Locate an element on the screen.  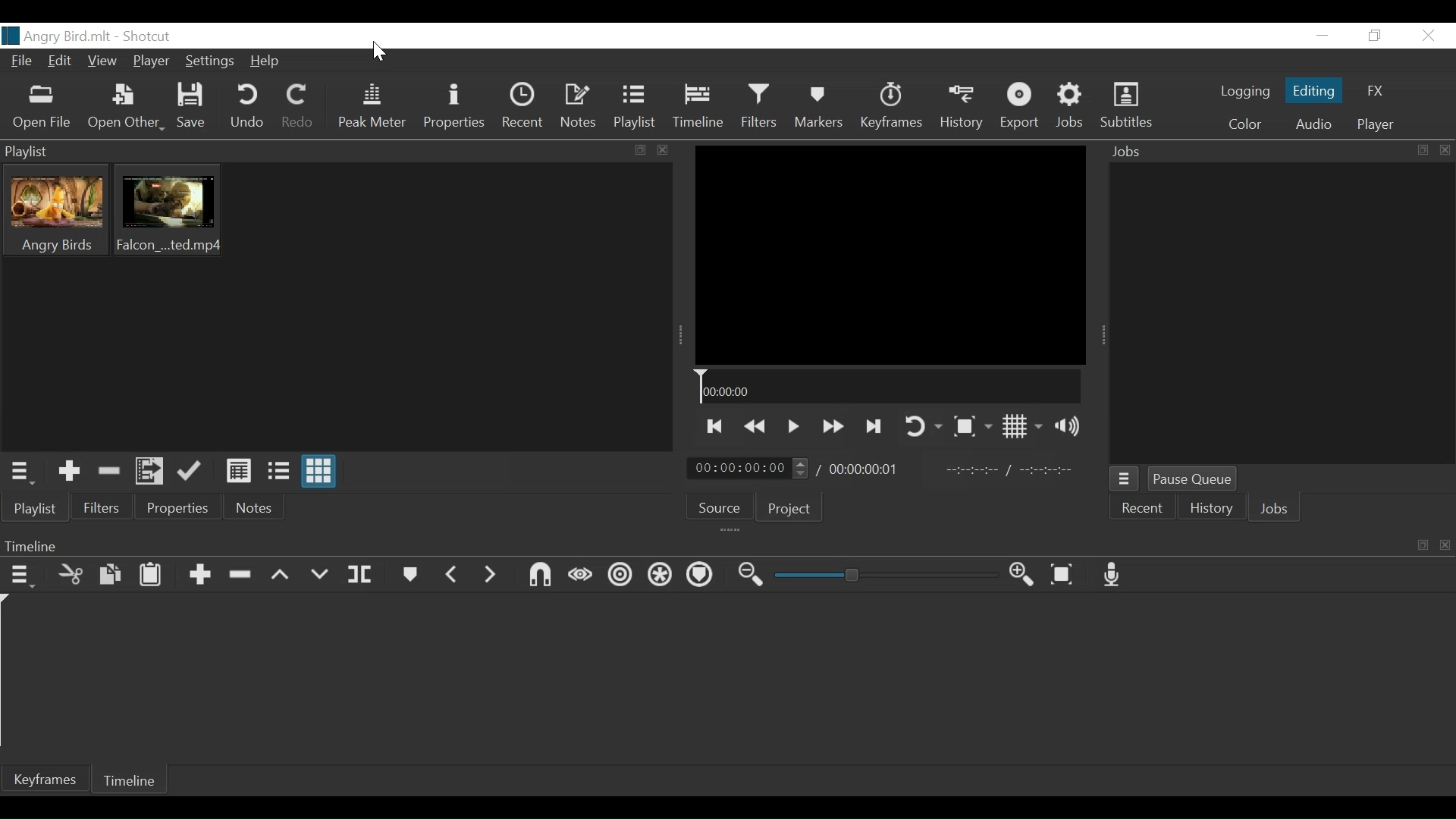
Notes is located at coordinates (579, 108).